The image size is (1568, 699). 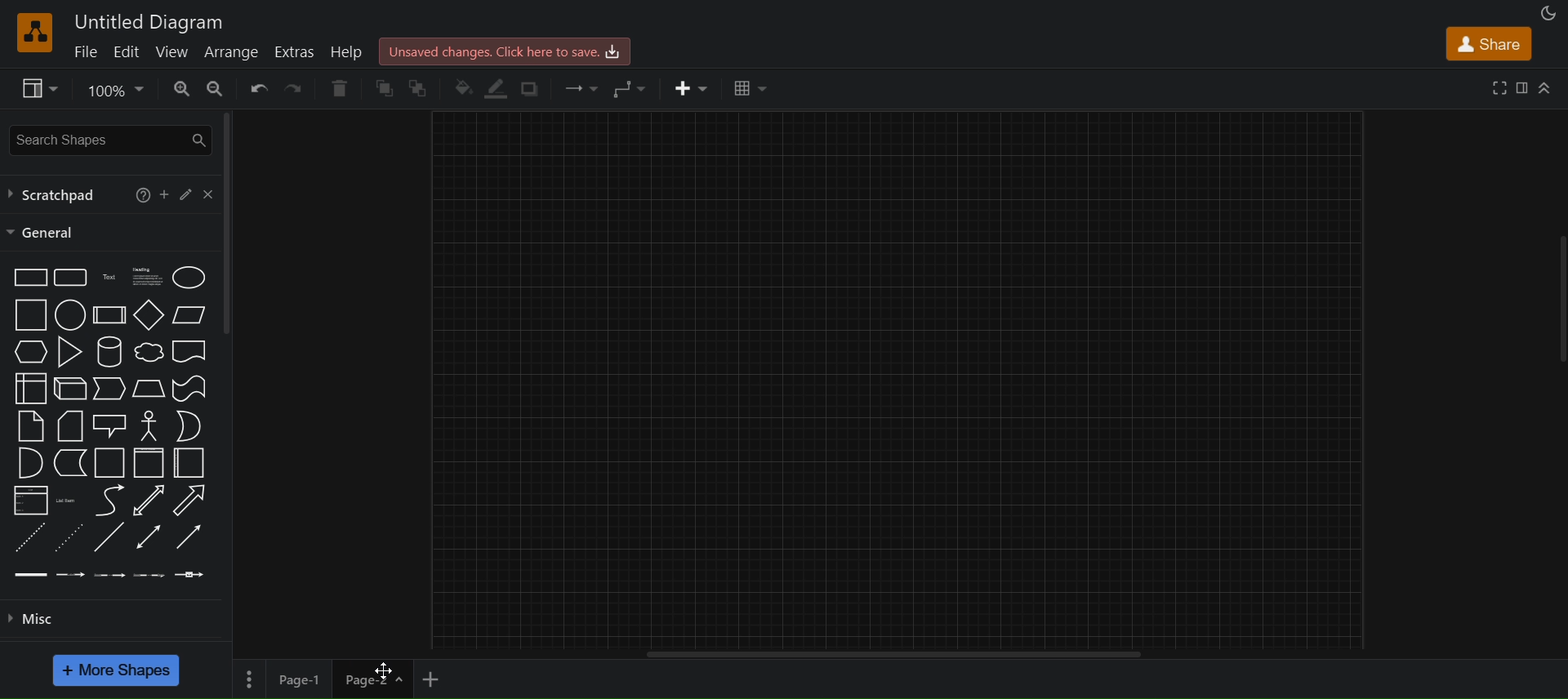 What do you see at coordinates (31, 573) in the screenshot?
I see `link` at bounding box center [31, 573].